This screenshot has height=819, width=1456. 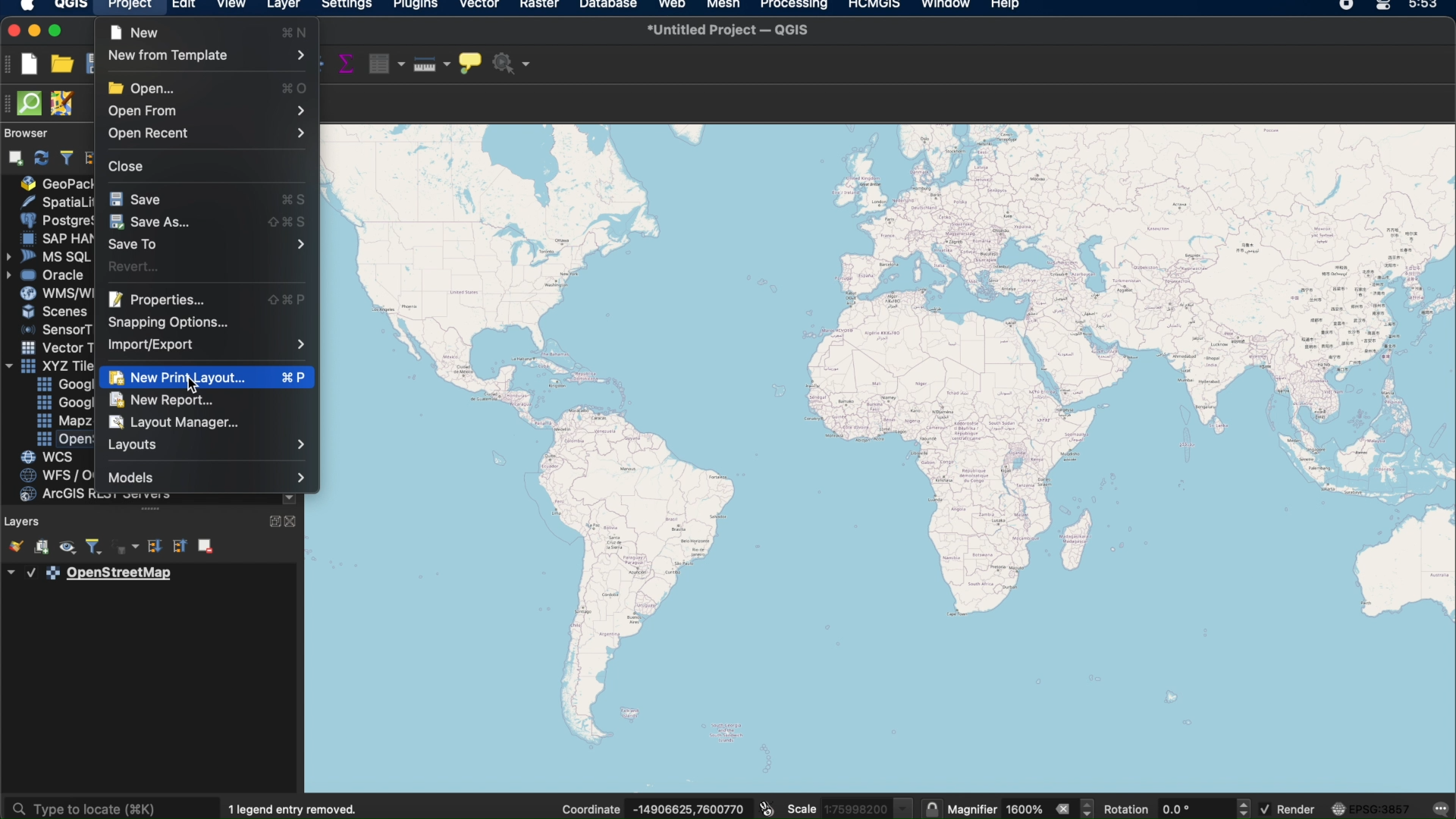 What do you see at coordinates (471, 64) in the screenshot?
I see `show map tips` at bounding box center [471, 64].